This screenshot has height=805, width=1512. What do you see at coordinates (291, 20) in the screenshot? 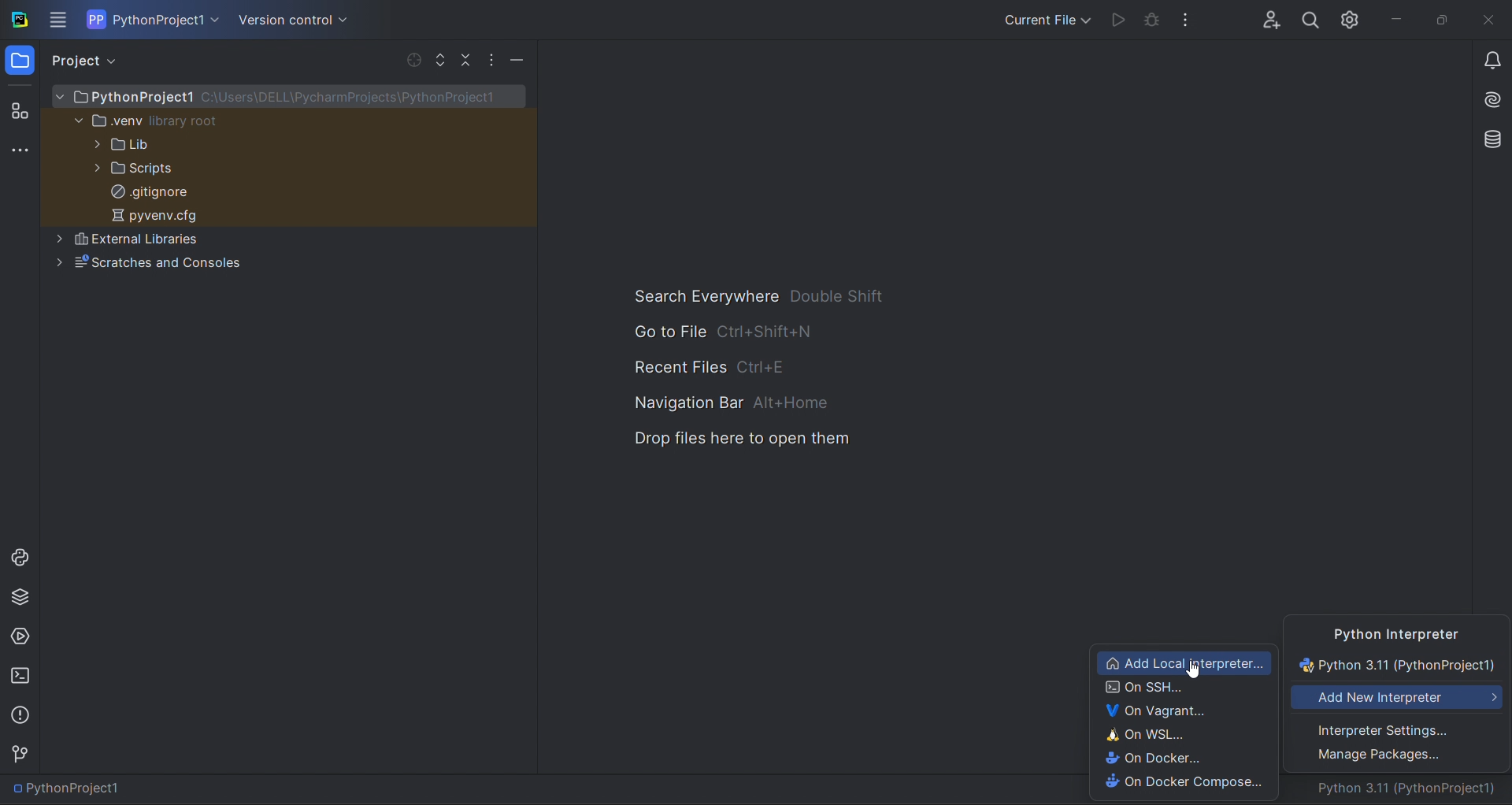
I see `version control` at bounding box center [291, 20].